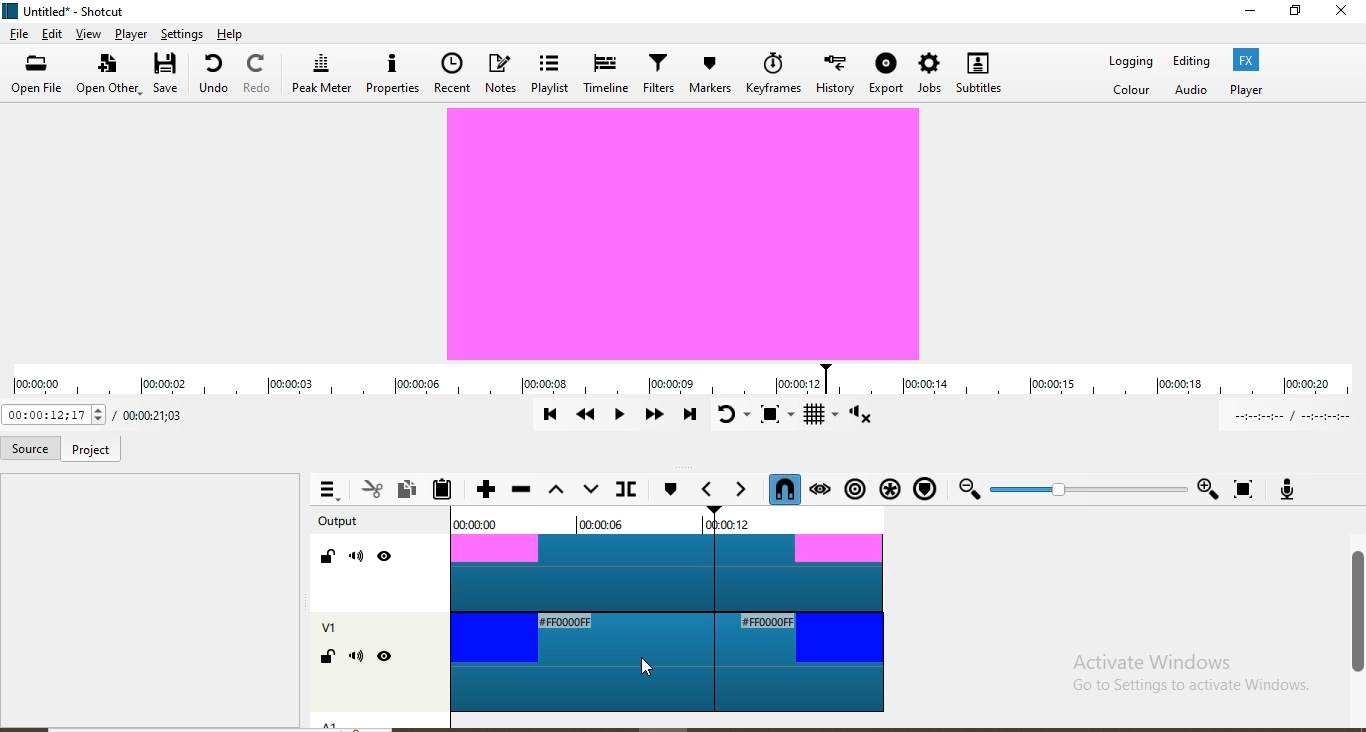  Describe the element at coordinates (731, 417) in the screenshot. I see `Toggle player looping ` at that location.